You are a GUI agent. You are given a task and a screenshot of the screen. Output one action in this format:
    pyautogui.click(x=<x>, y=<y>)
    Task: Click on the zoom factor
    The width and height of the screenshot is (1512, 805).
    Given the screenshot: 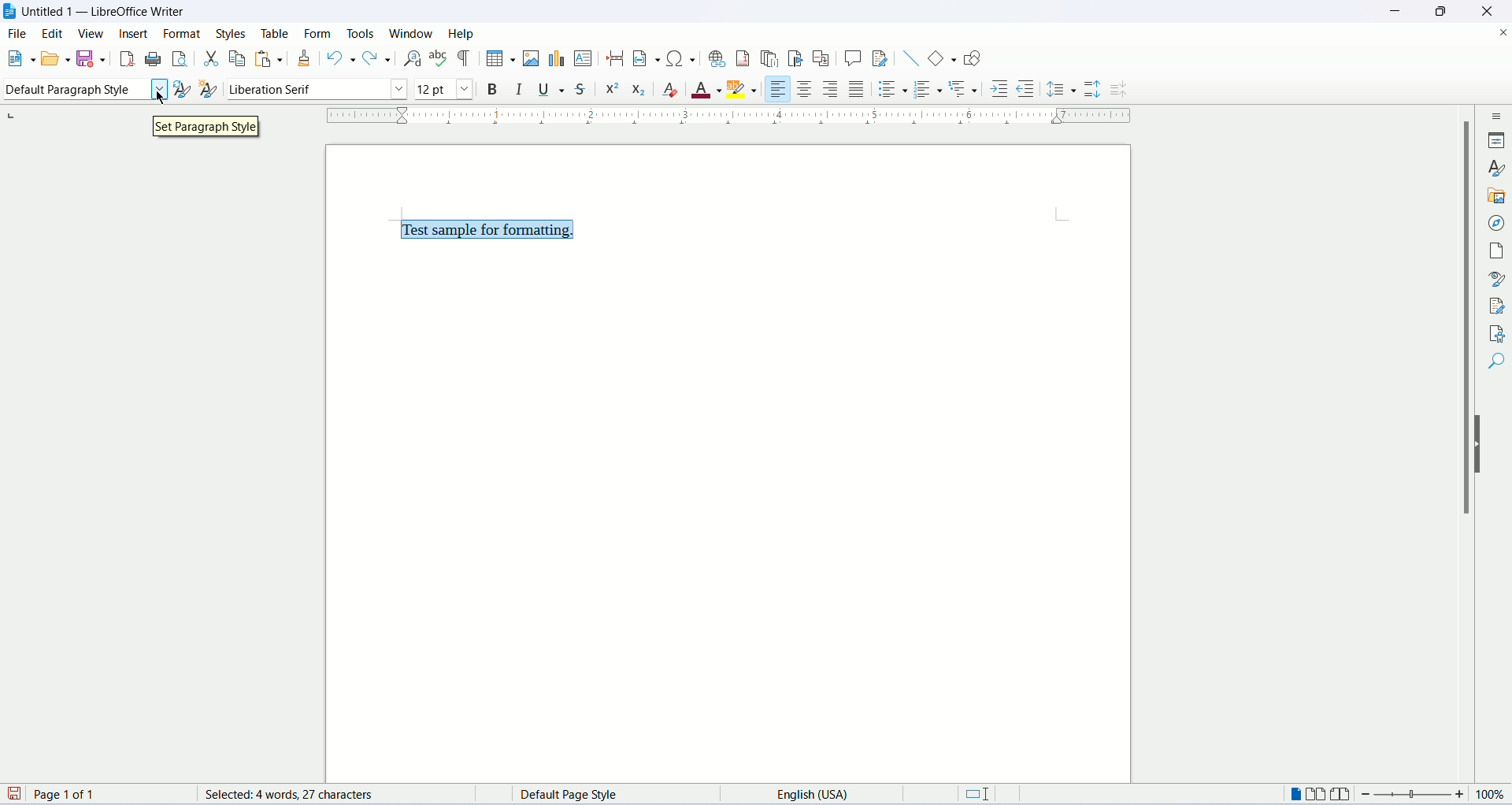 What is the action you would take?
    pyautogui.click(x=1433, y=797)
    